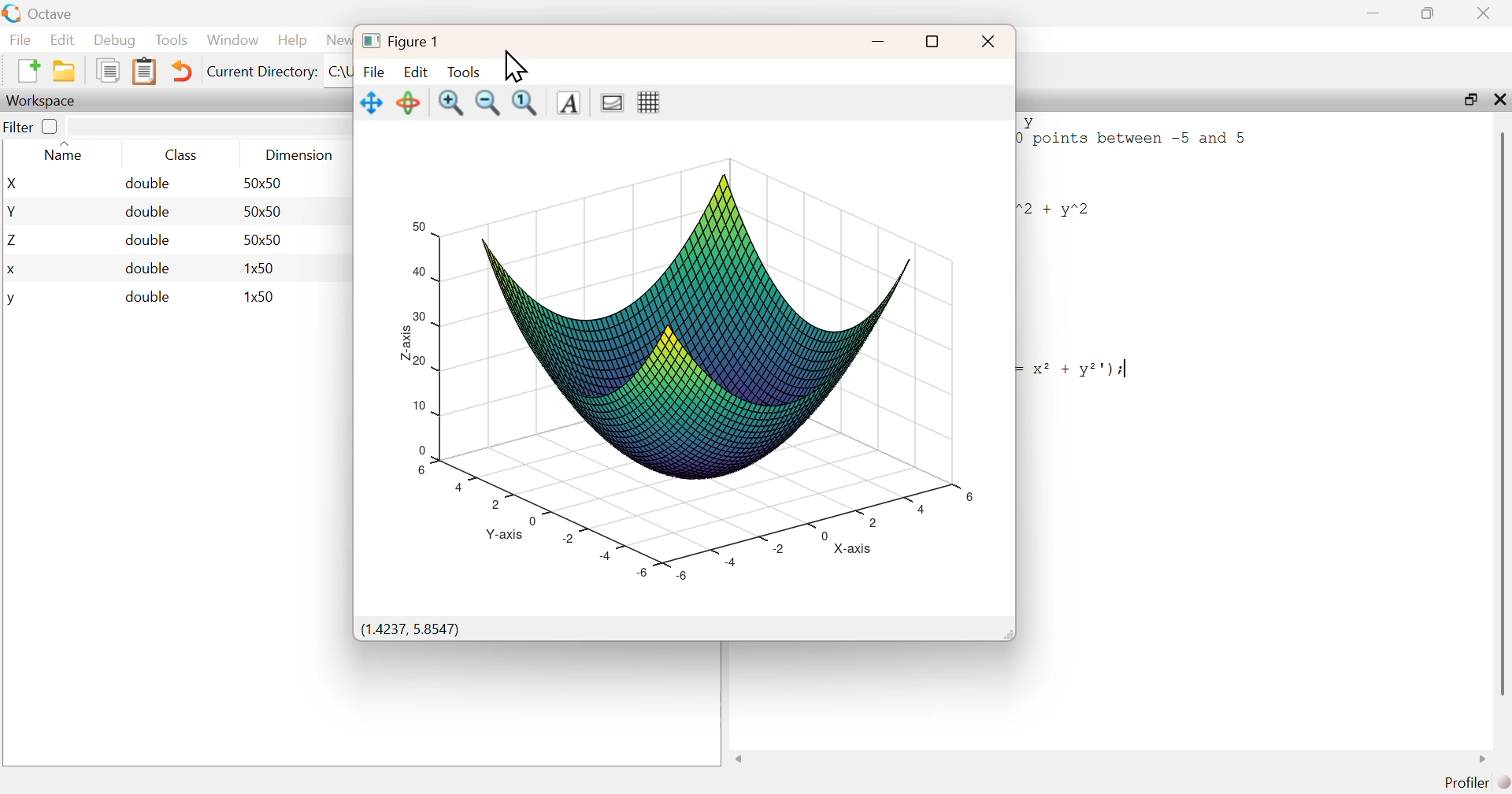  What do you see at coordinates (147, 297) in the screenshot?
I see `double` at bounding box center [147, 297].